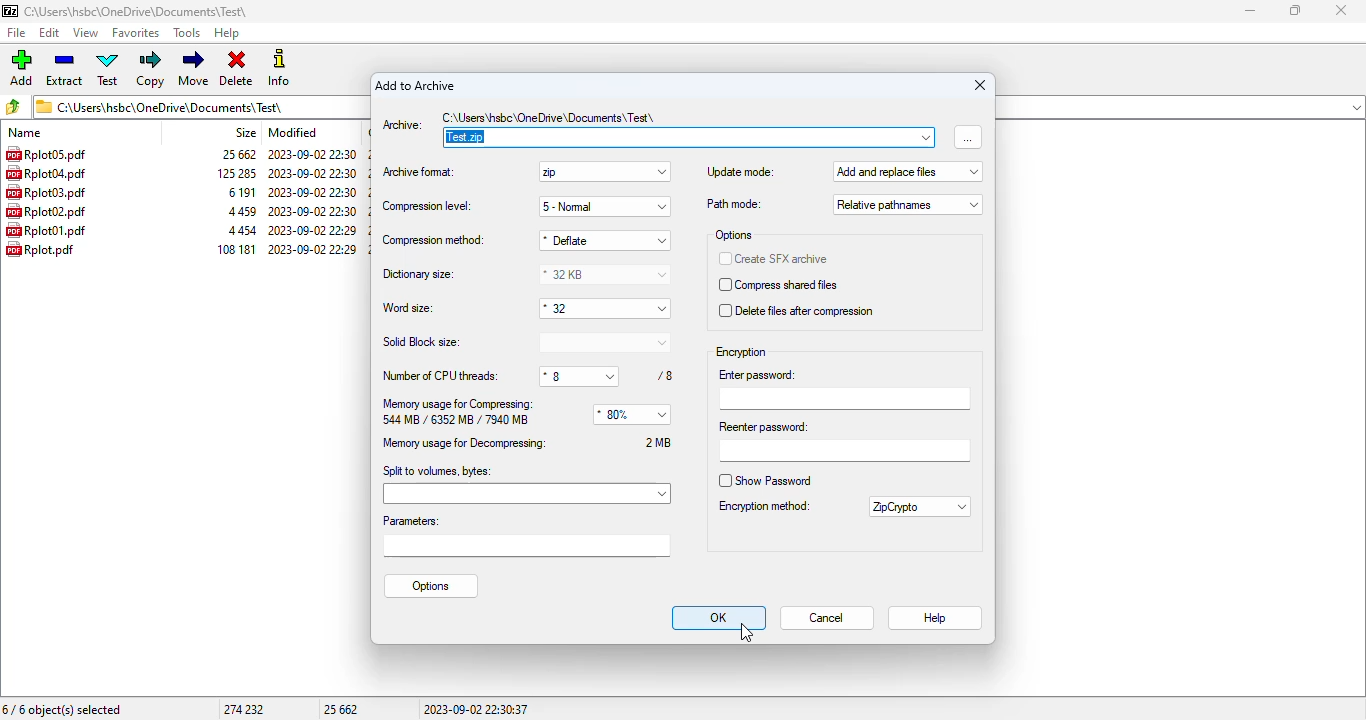 This screenshot has width=1366, height=720. I want to click on view, so click(86, 32).